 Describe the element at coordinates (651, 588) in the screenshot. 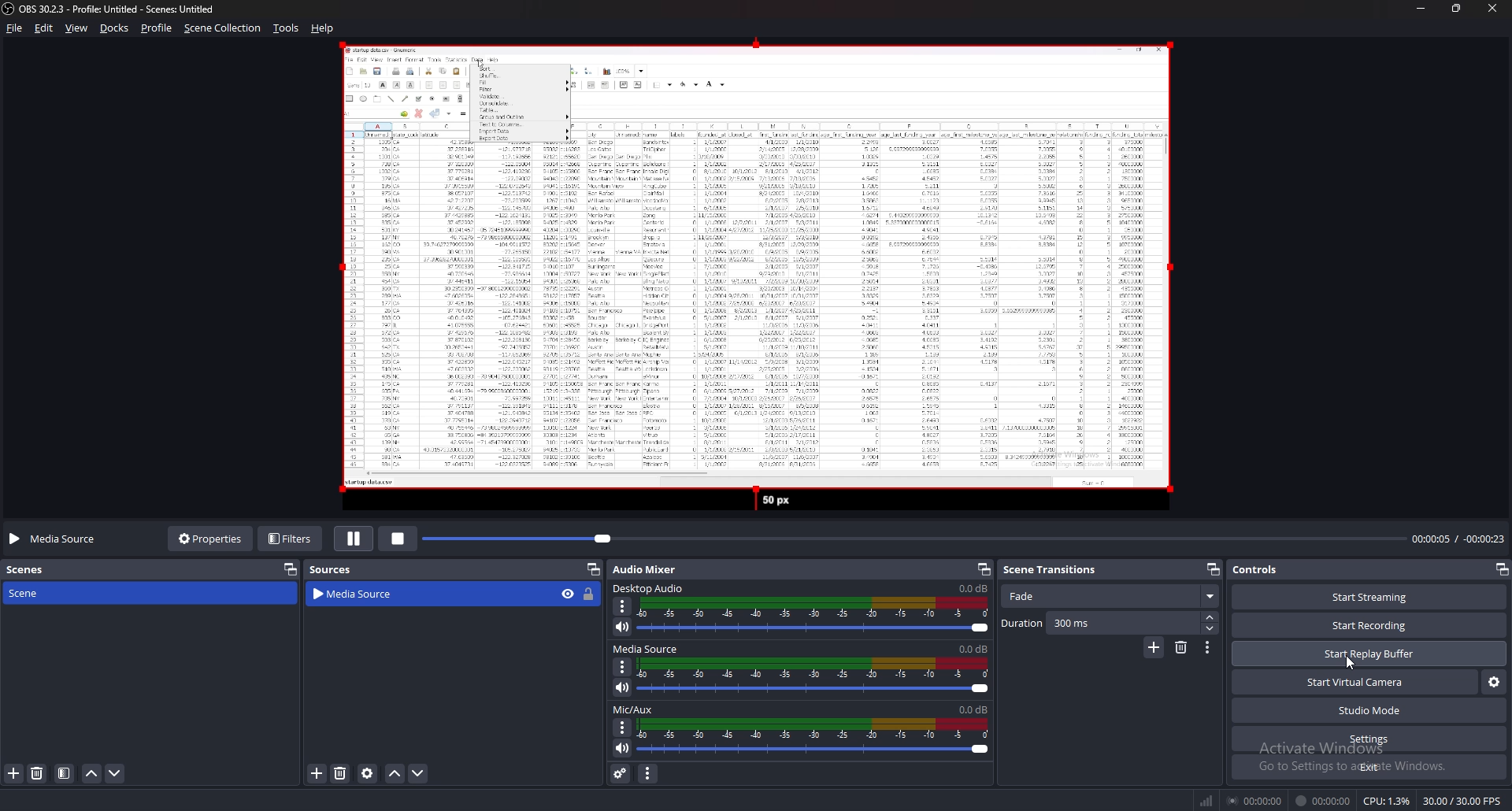

I see `desktop audio` at that location.